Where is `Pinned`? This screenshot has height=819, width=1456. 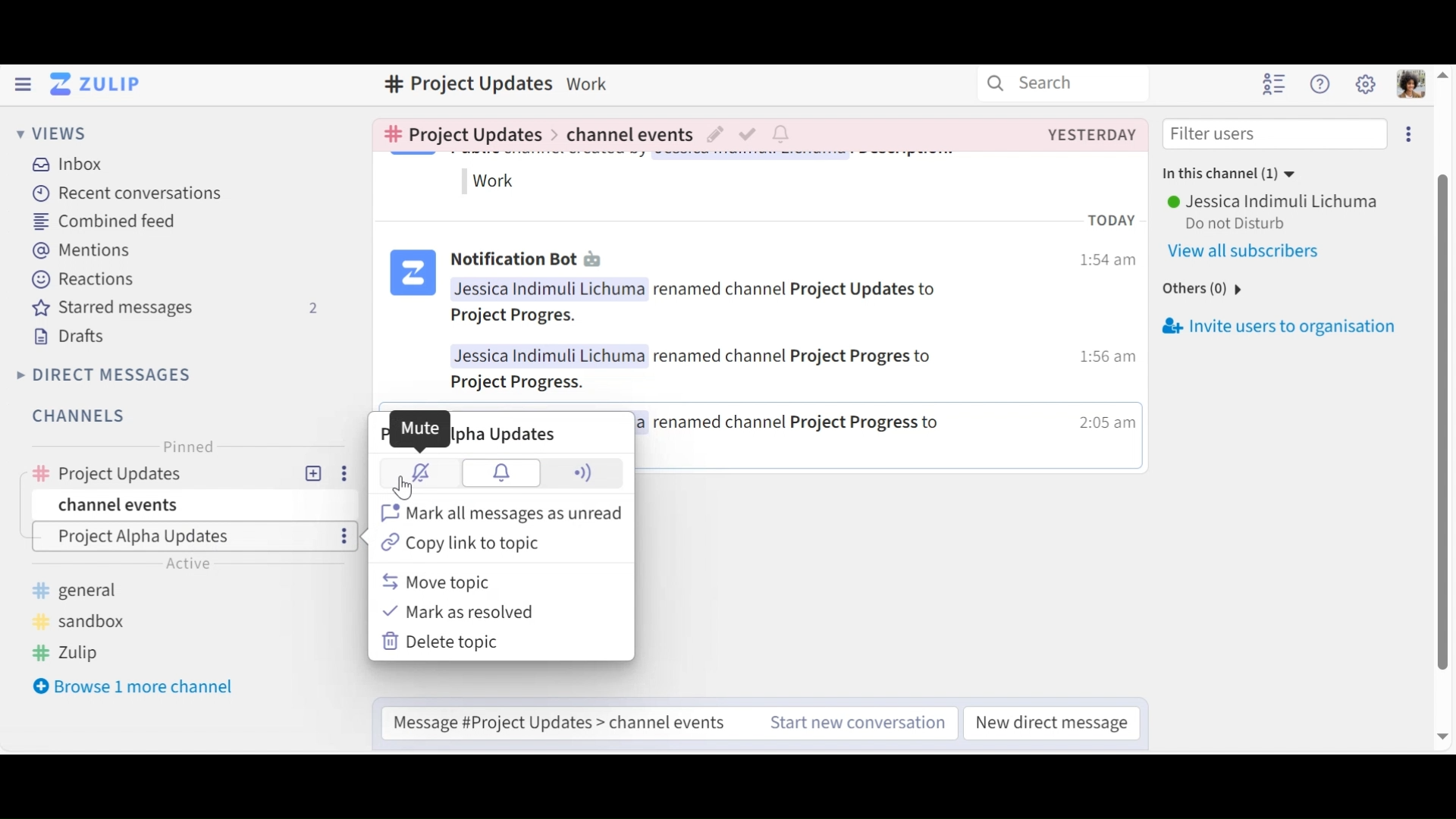 Pinned is located at coordinates (186, 445).